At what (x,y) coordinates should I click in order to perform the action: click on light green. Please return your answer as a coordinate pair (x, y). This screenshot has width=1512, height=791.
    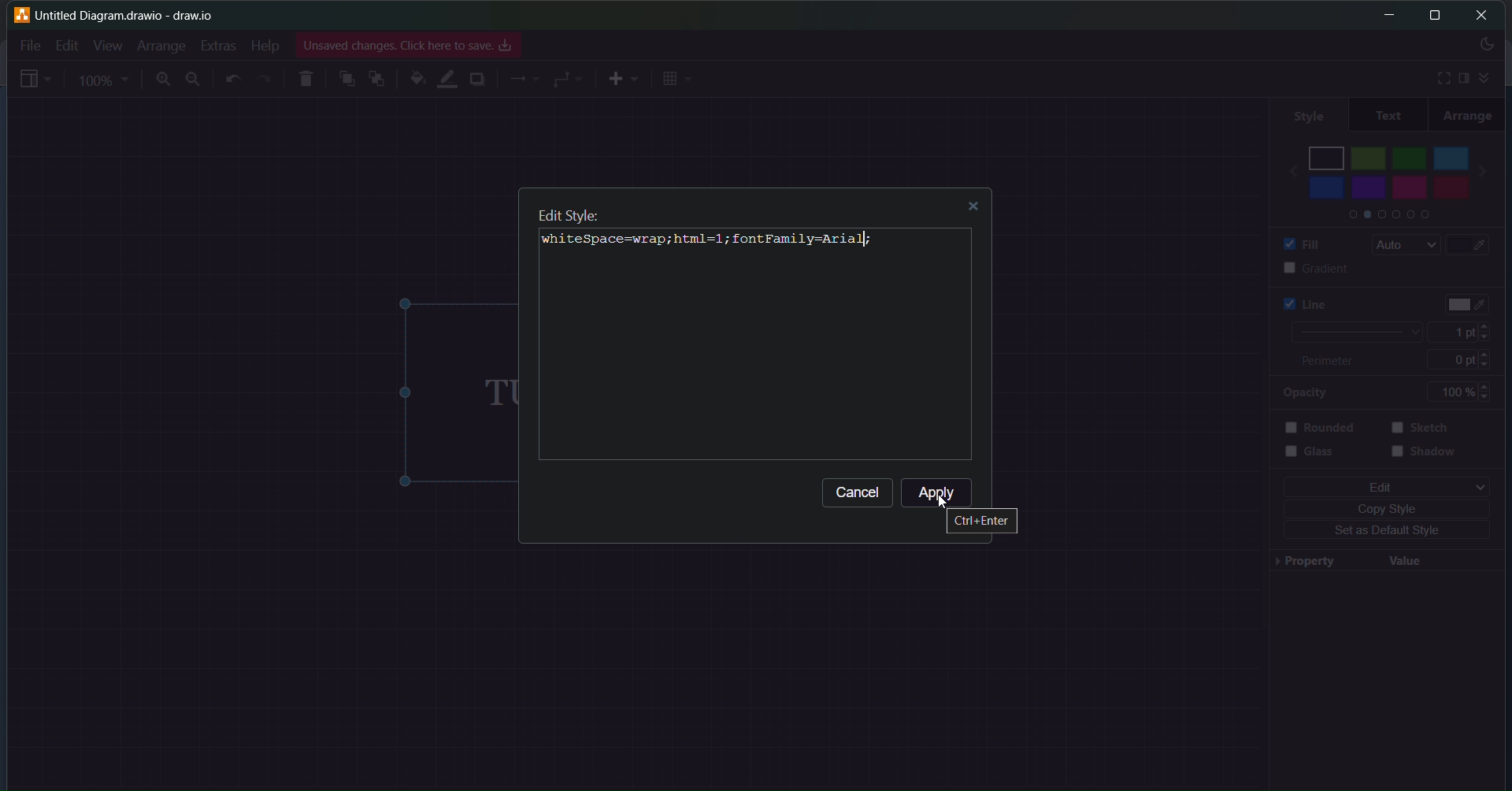
    Looking at the image, I should click on (1369, 158).